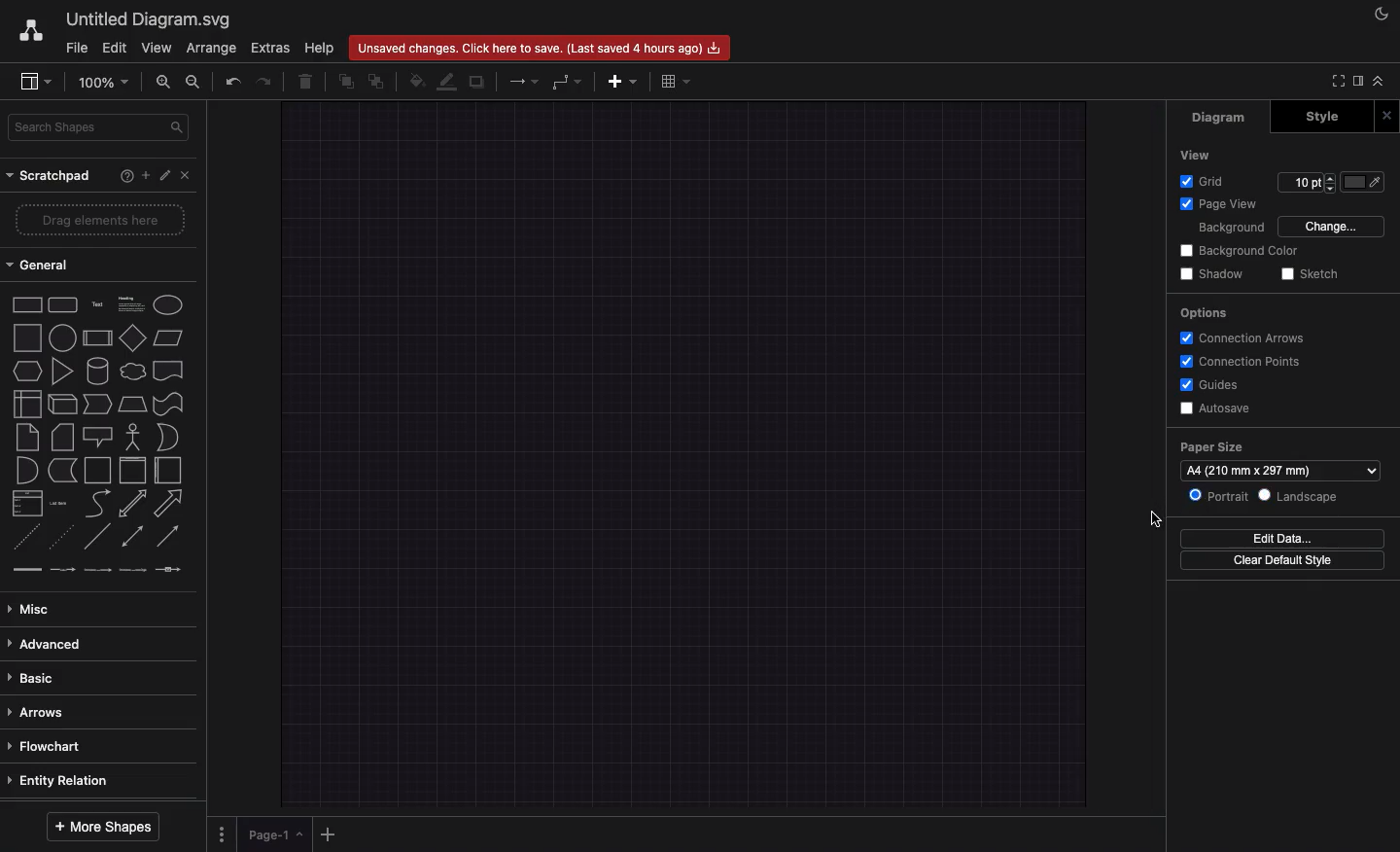 This screenshot has height=852, width=1400. I want to click on Options, so click(223, 831).